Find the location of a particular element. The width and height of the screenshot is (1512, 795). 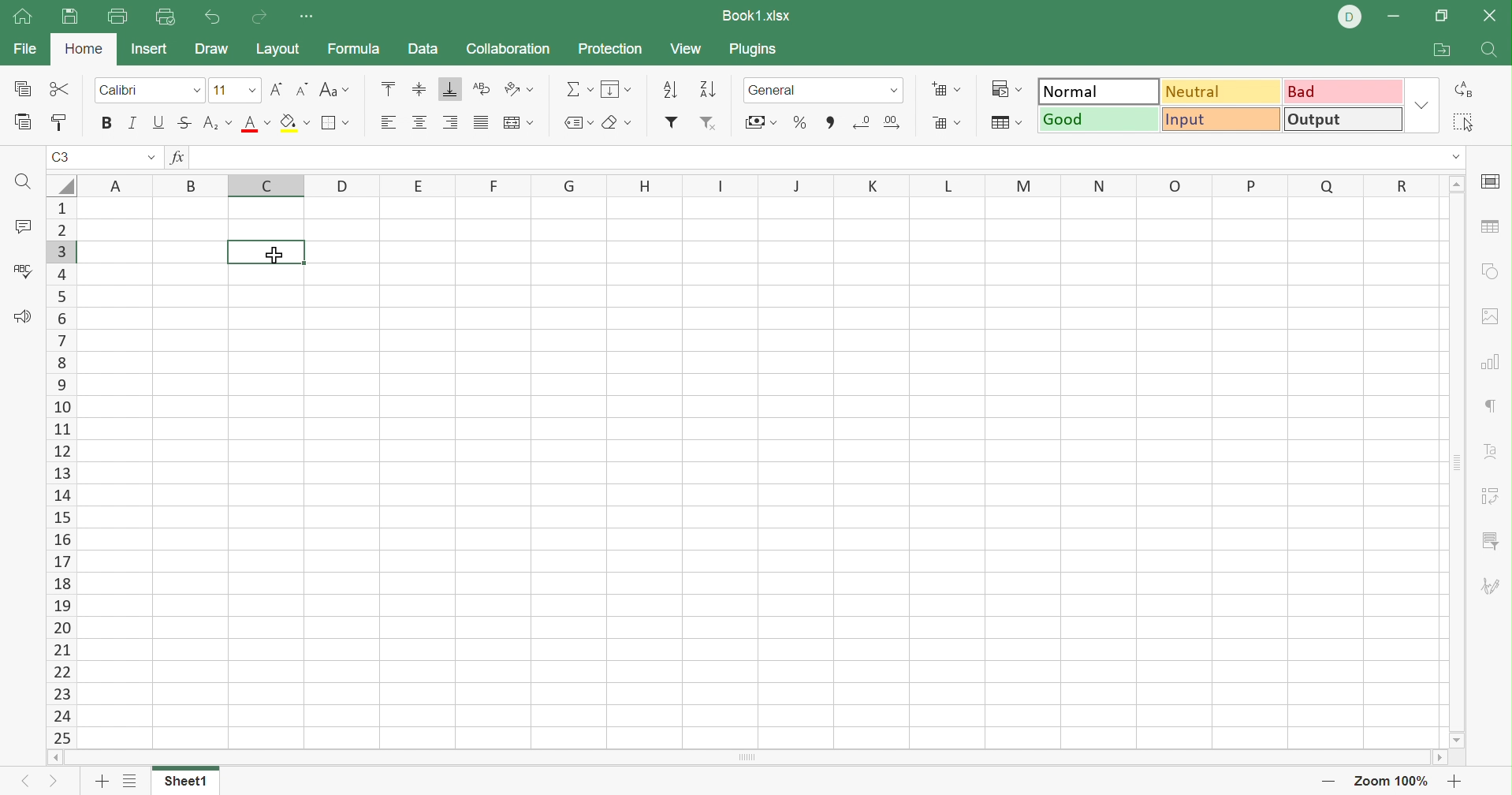

List of sheets is located at coordinates (131, 781).